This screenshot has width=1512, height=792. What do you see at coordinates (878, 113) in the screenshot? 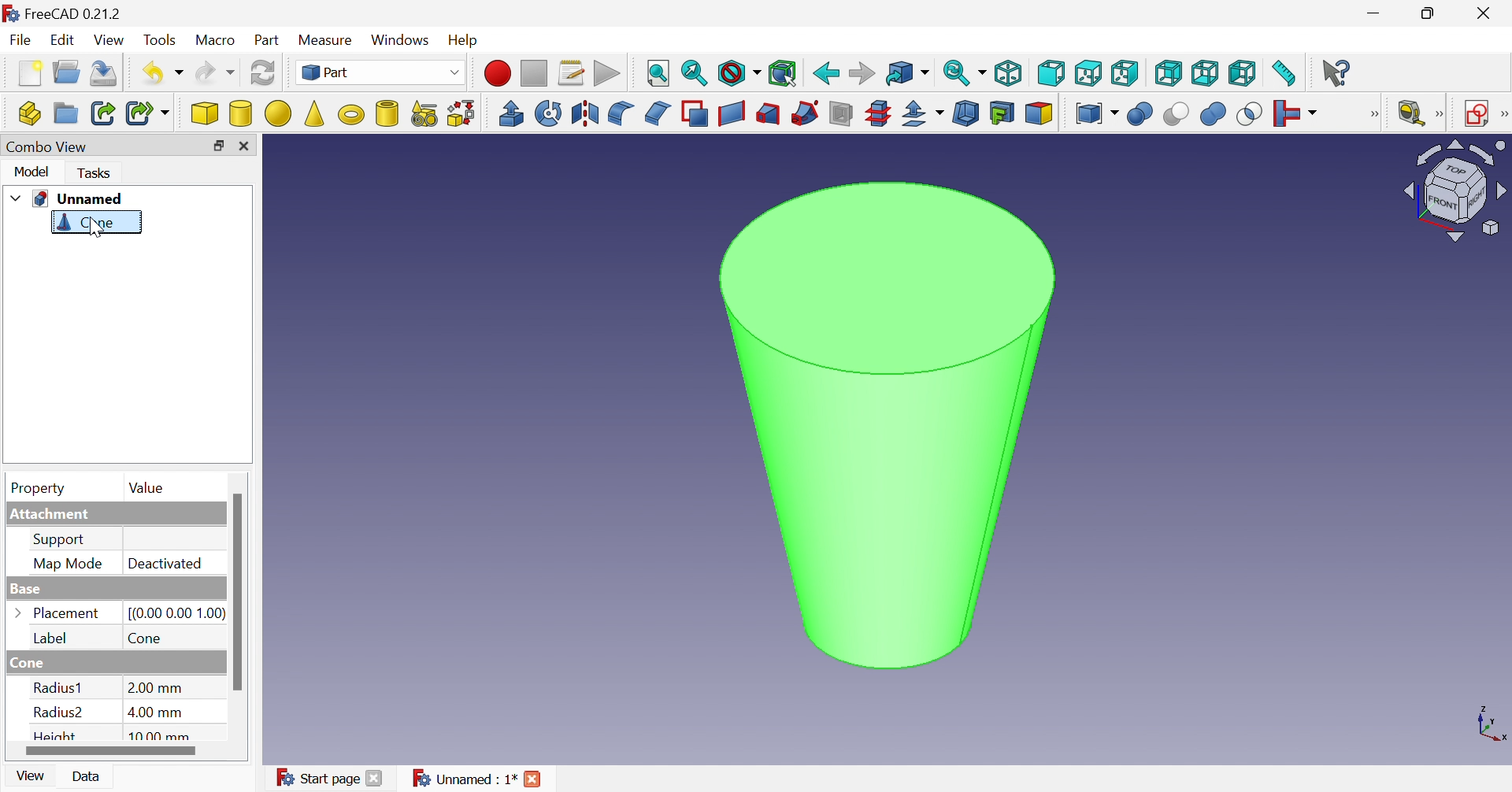
I see `Cross-sections` at bounding box center [878, 113].